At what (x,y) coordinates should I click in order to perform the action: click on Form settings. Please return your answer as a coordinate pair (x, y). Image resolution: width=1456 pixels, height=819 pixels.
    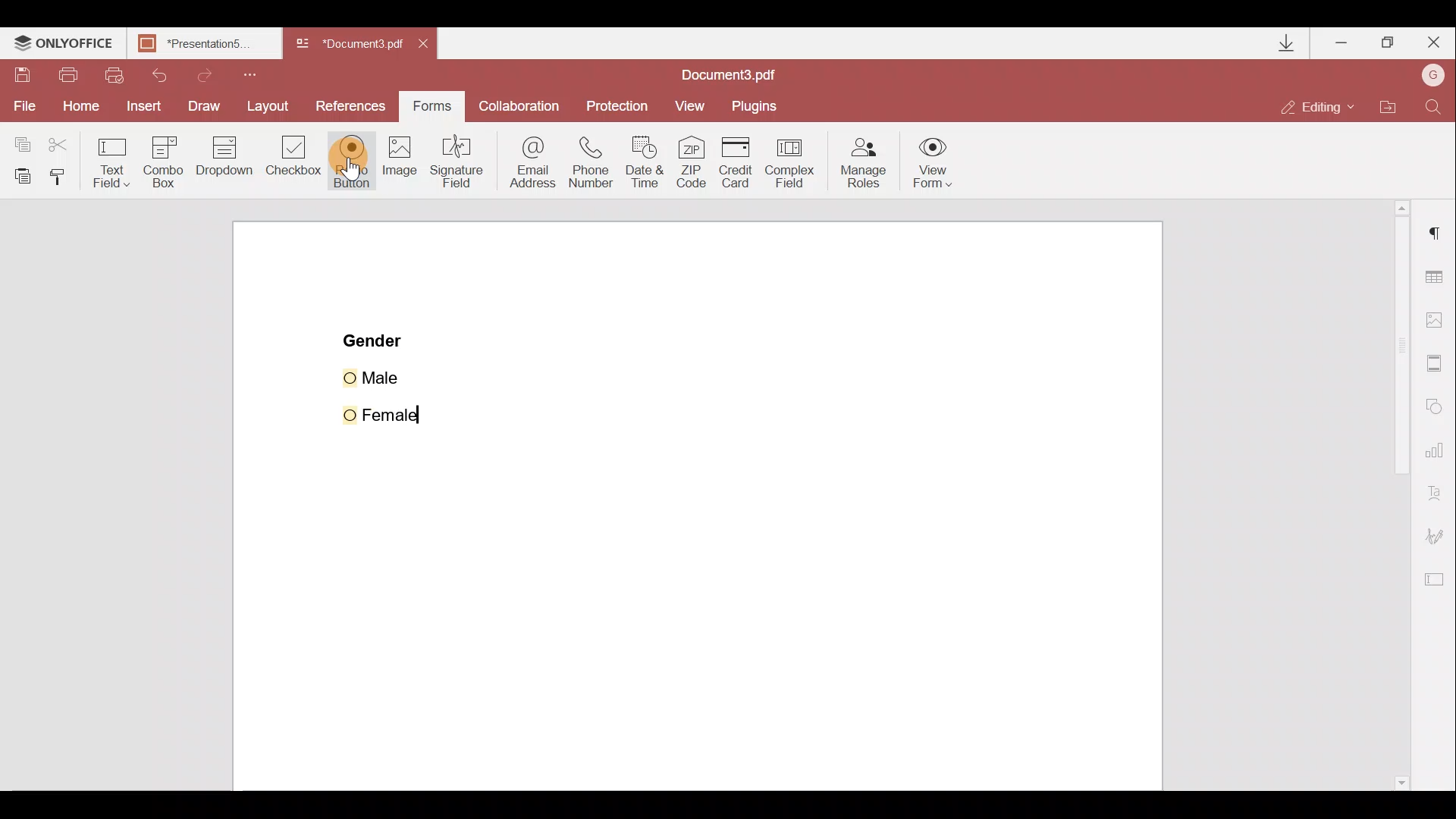
    Looking at the image, I should click on (1438, 583).